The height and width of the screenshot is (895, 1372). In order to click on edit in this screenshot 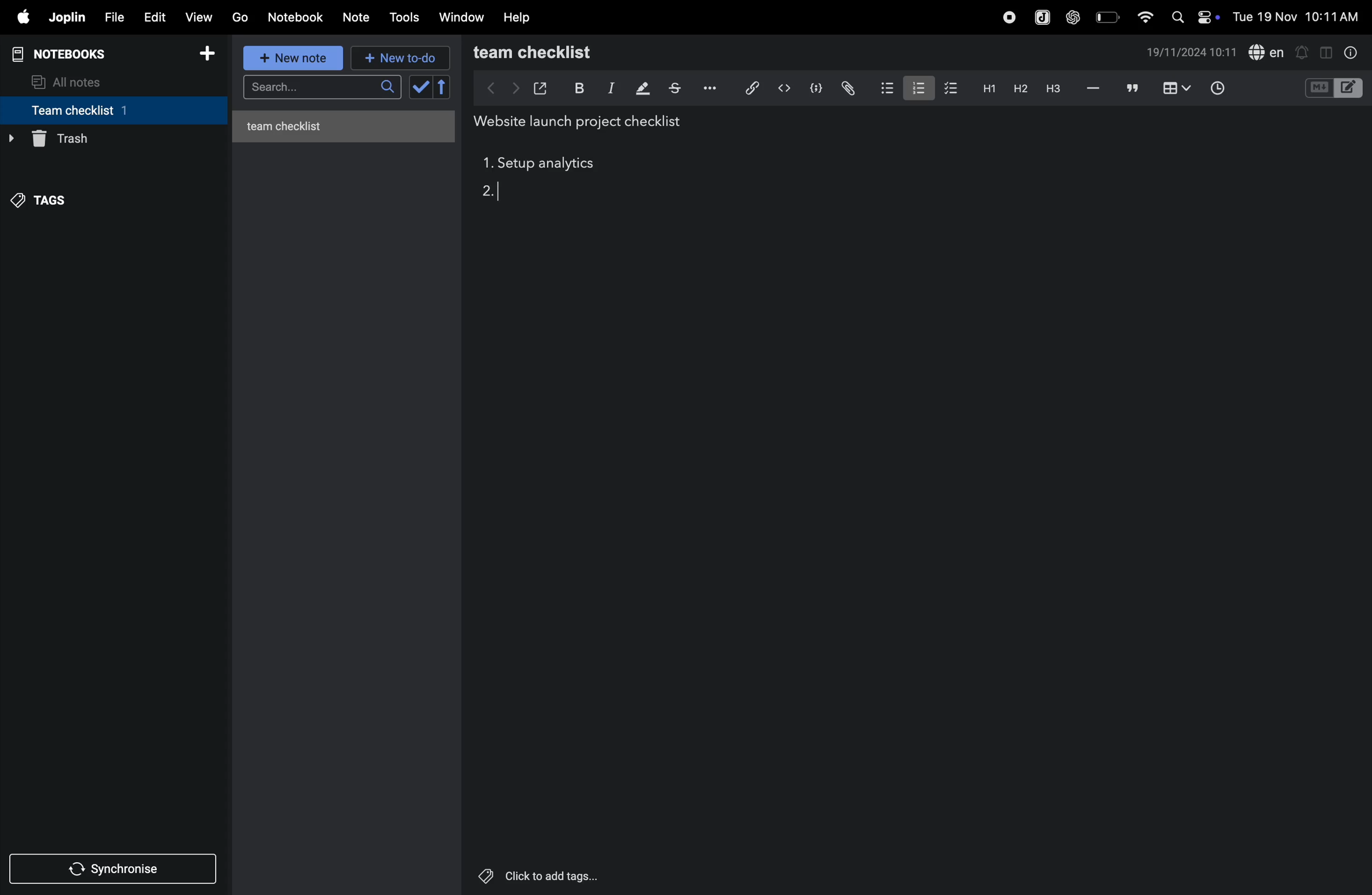, I will do `click(154, 16)`.